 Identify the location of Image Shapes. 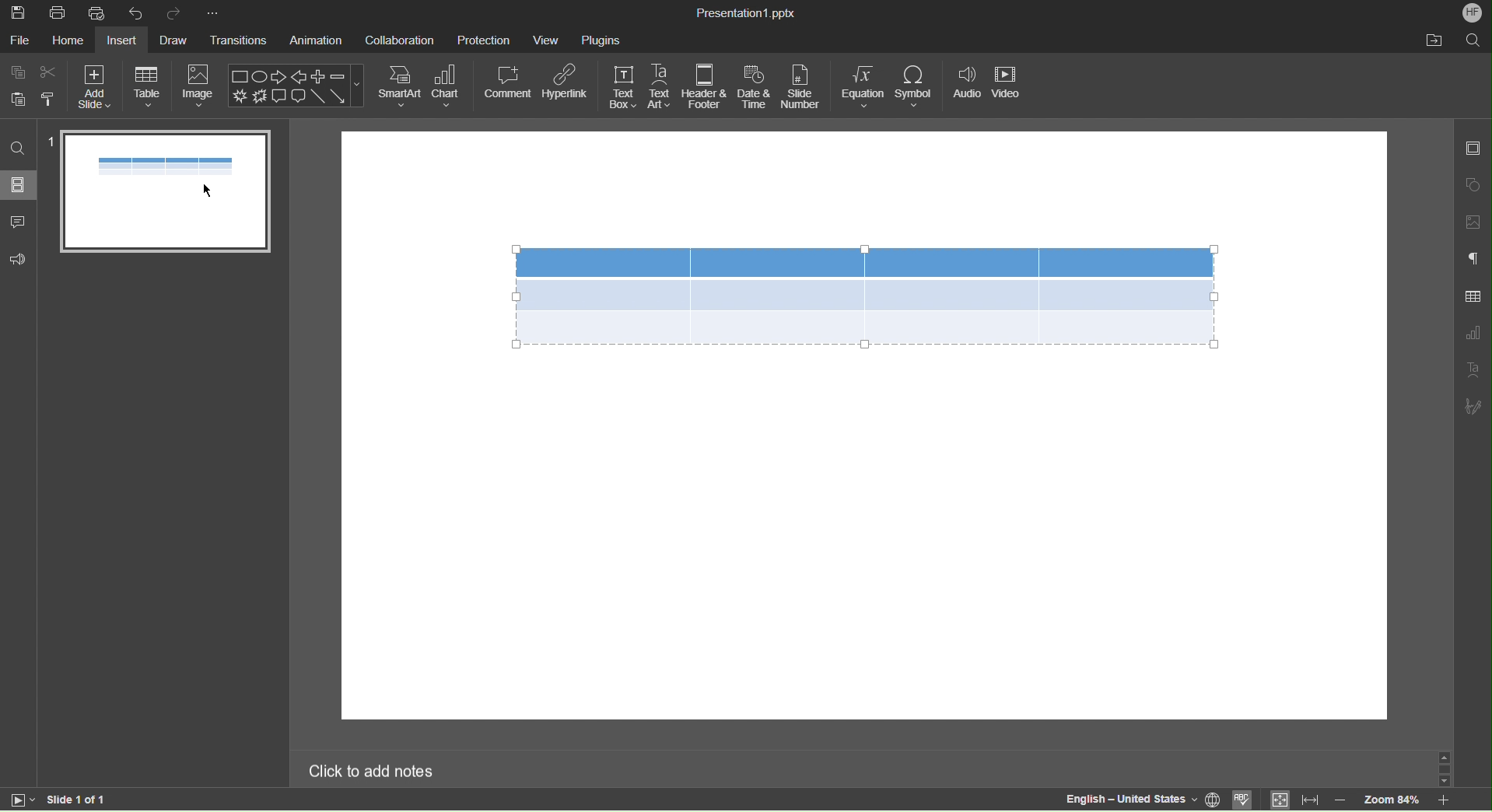
(297, 86).